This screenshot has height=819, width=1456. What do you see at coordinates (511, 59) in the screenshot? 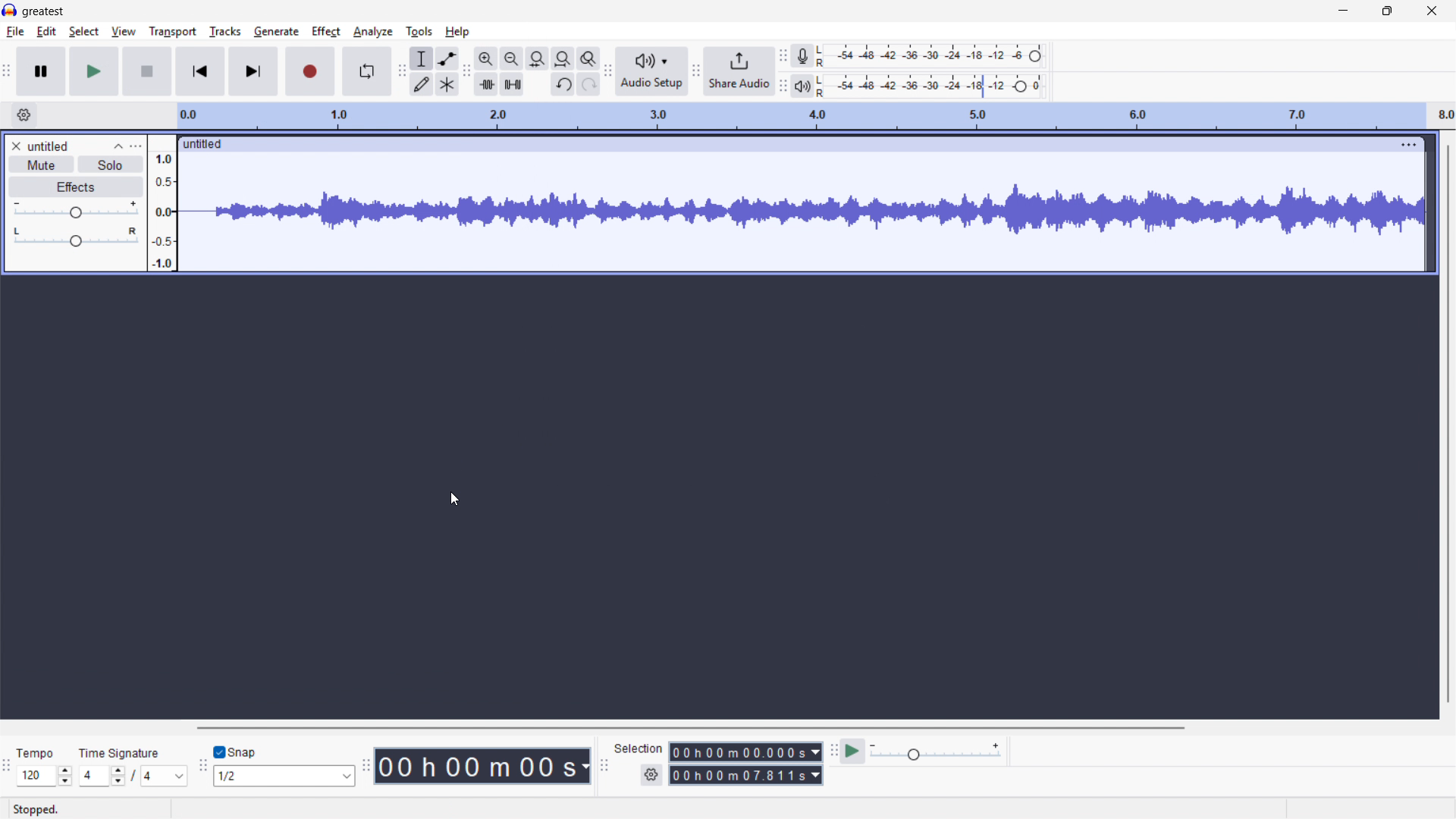
I see `zoom out` at bounding box center [511, 59].